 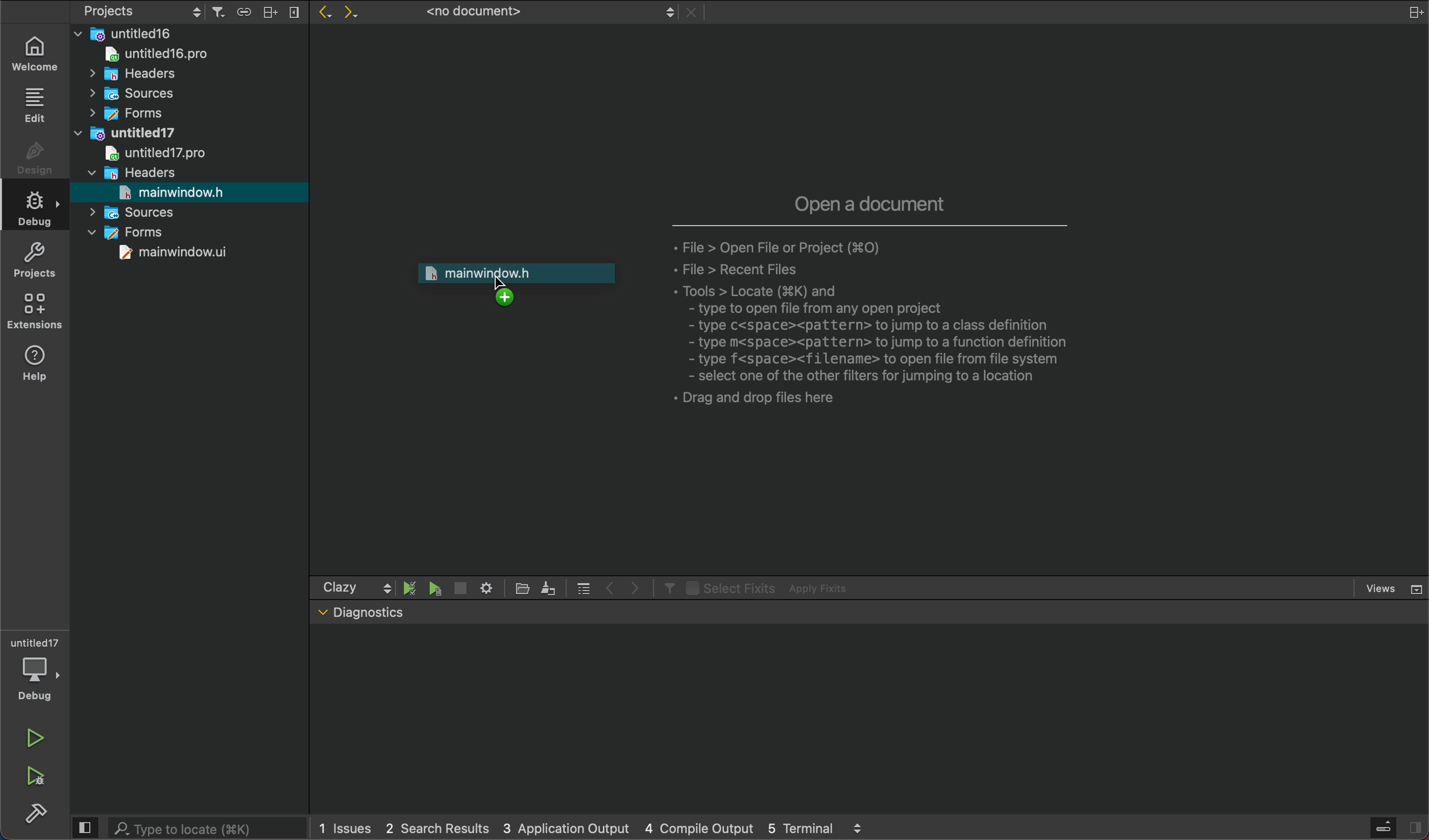 What do you see at coordinates (485, 587) in the screenshot?
I see `settings` at bounding box center [485, 587].